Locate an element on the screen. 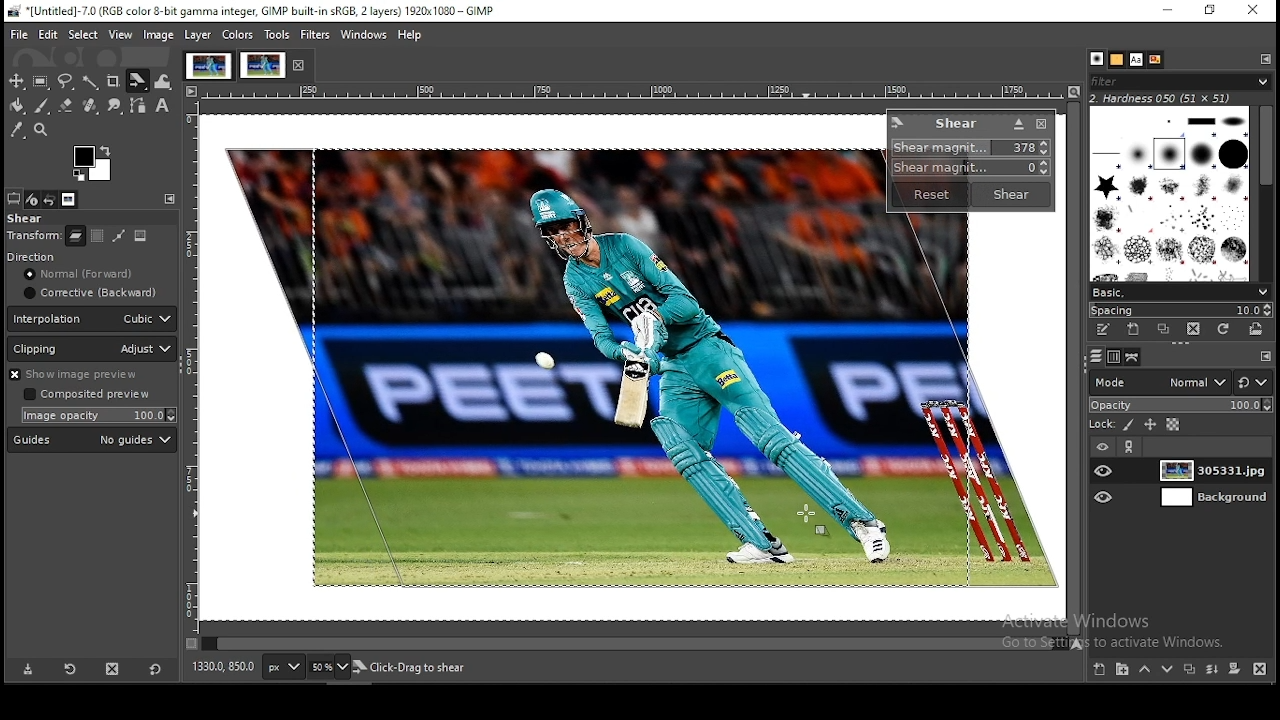 This screenshot has width=1280, height=720. transform is located at coordinates (34, 237).